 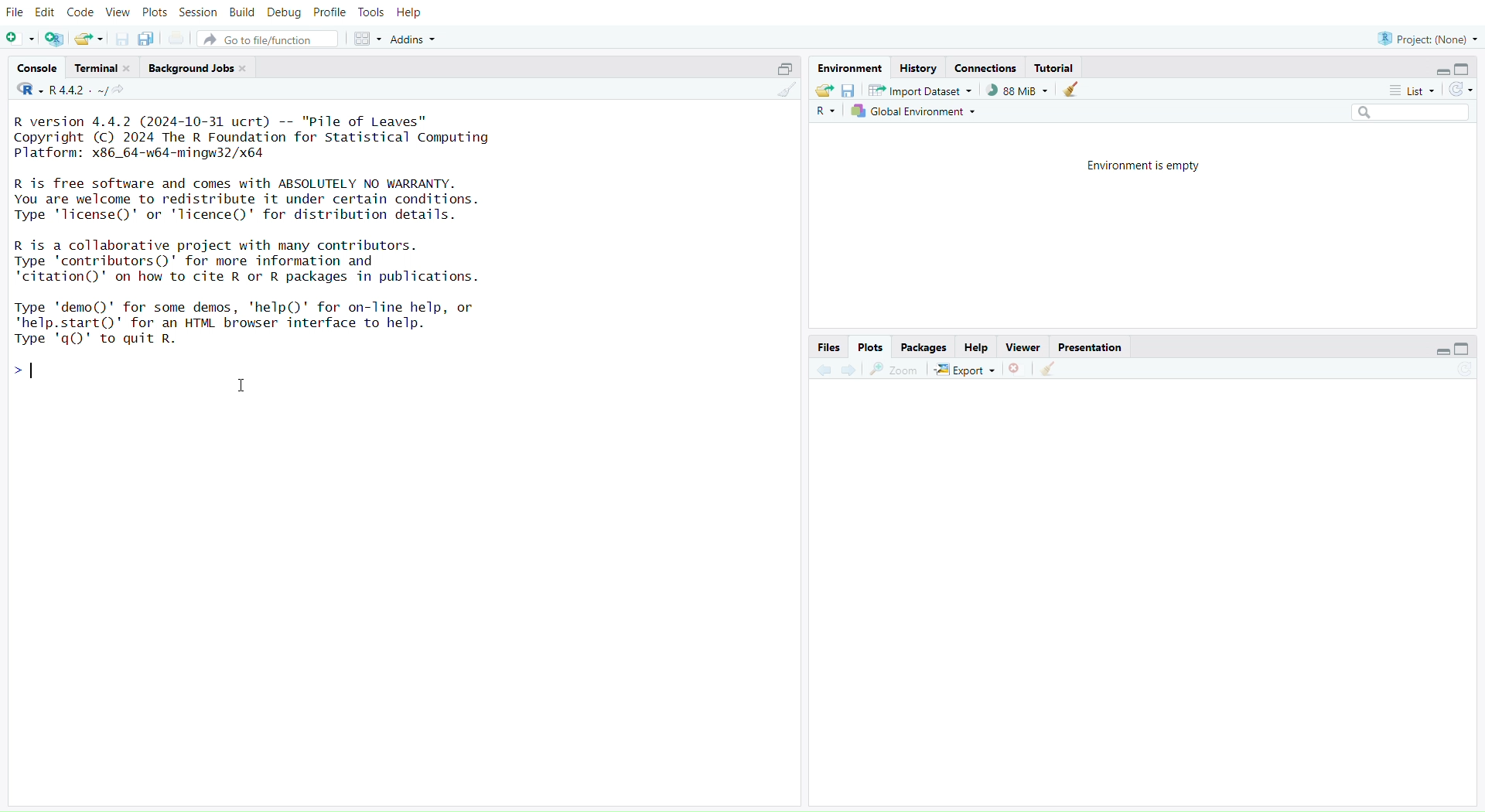 What do you see at coordinates (851, 91) in the screenshot?
I see `save workspace` at bounding box center [851, 91].